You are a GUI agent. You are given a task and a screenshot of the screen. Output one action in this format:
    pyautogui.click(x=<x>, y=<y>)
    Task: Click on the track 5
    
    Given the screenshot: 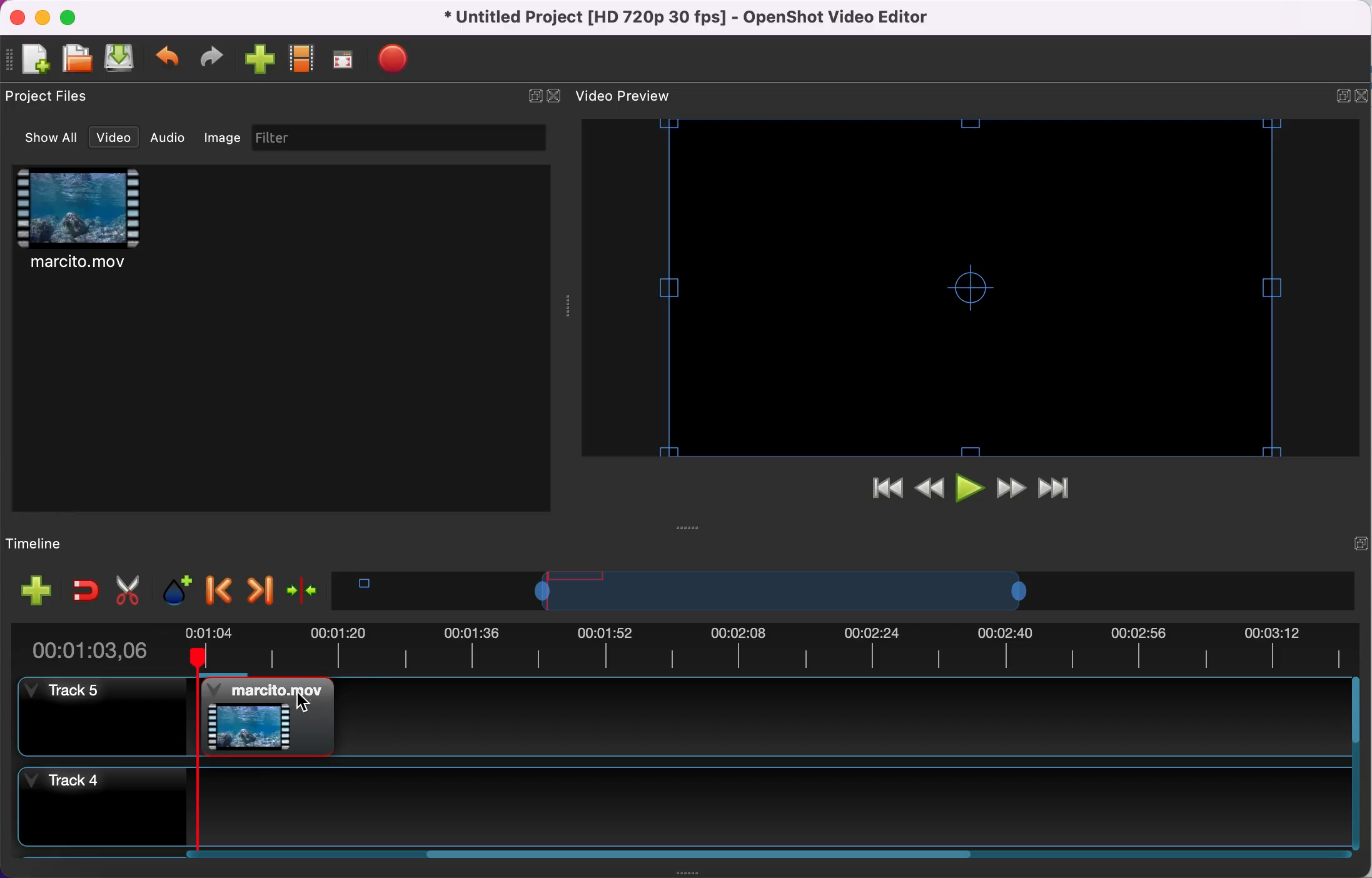 What is the action you would take?
    pyautogui.click(x=93, y=720)
    